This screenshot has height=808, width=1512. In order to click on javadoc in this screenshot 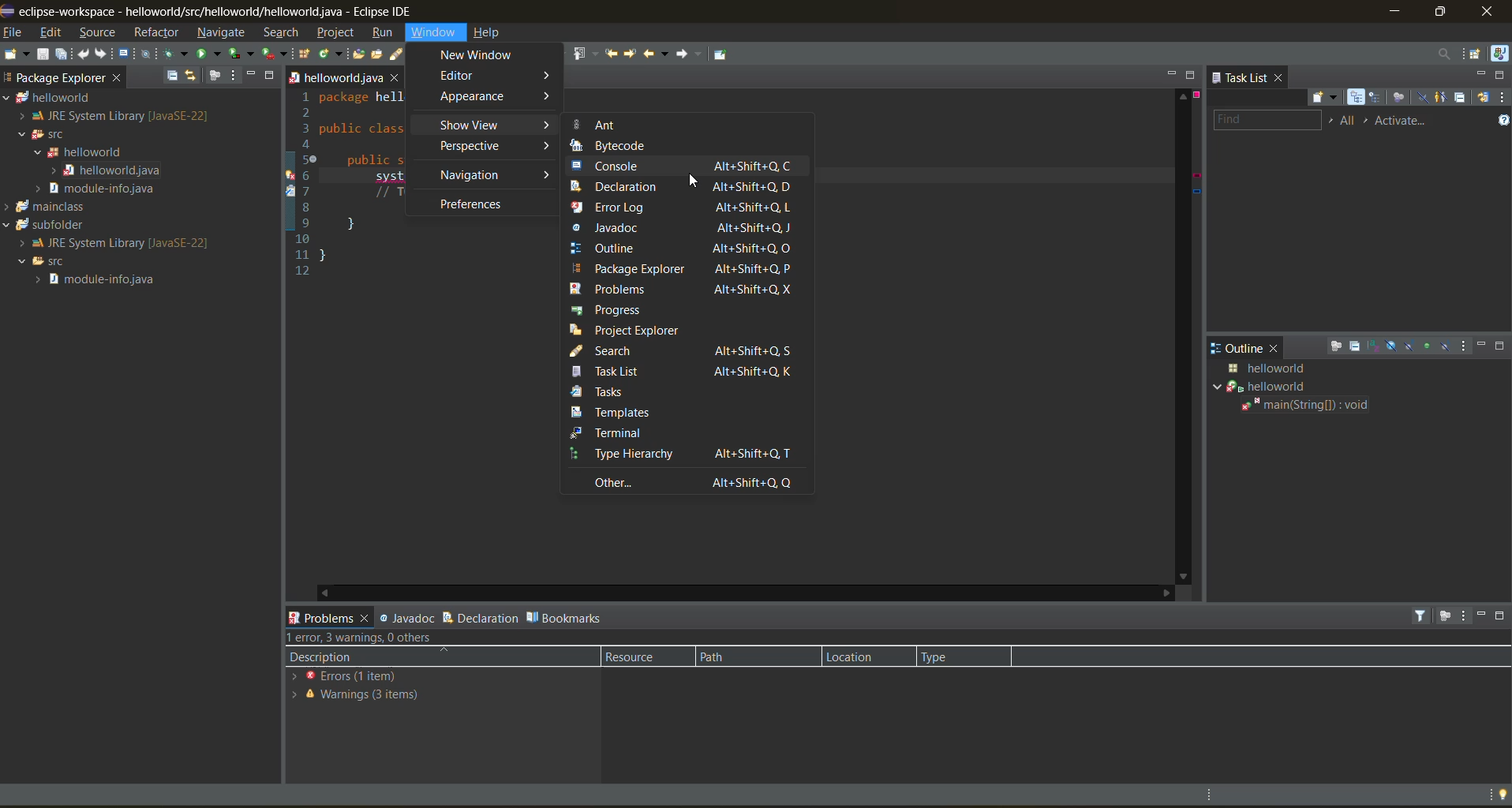, I will do `click(407, 617)`.